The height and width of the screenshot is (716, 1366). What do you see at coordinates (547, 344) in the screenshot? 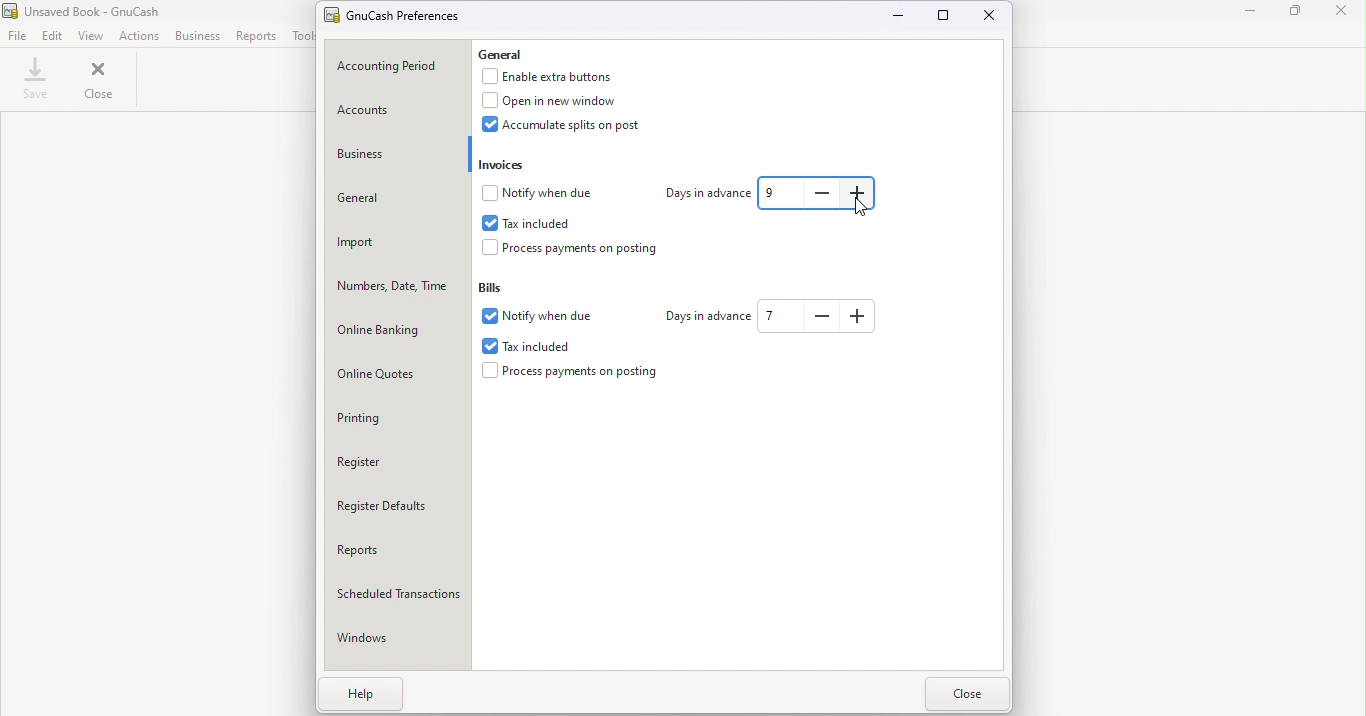
I see `Tax included` at bounding box center [547, 344].